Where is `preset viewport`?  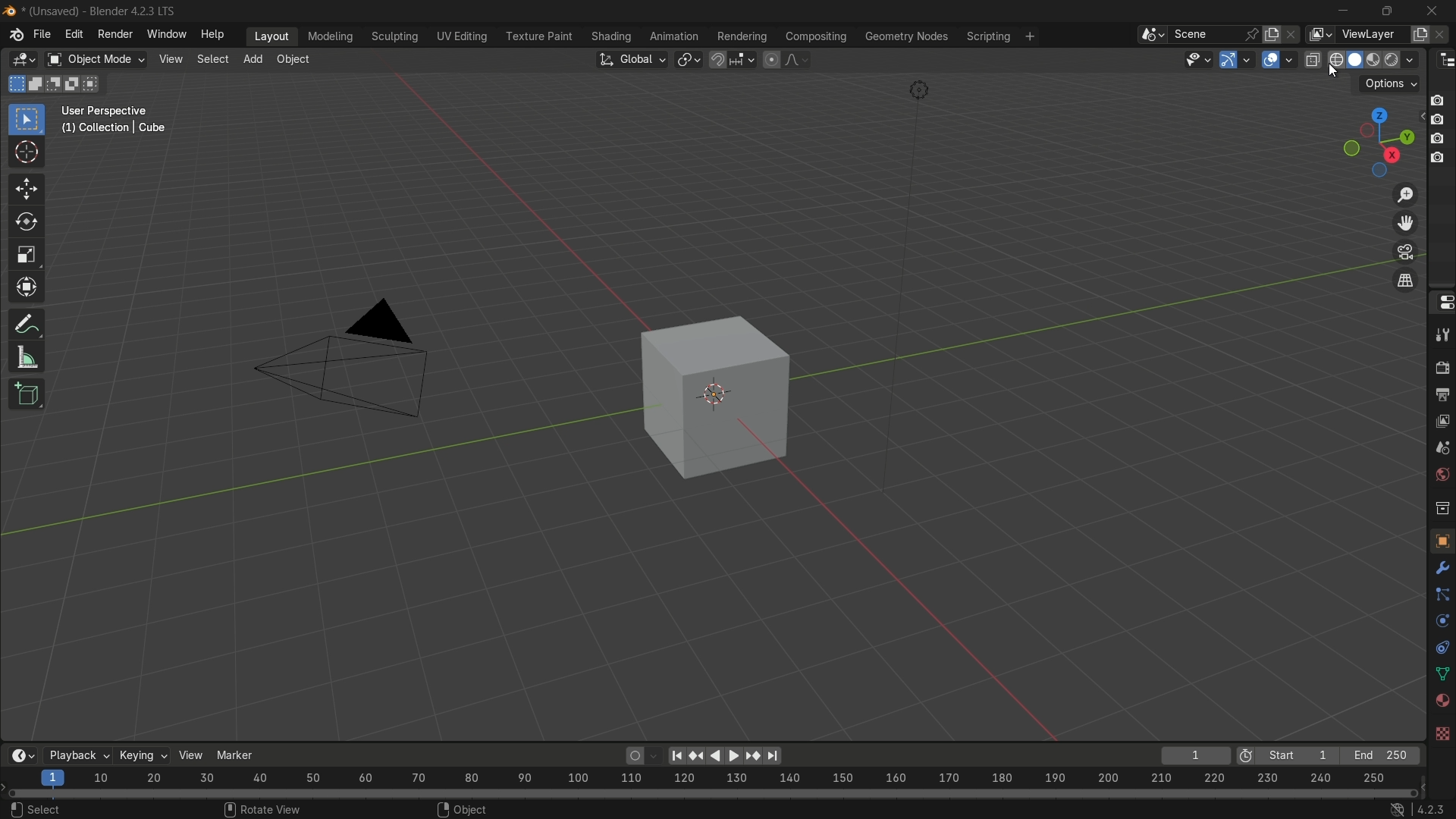 preset viewport is located at coordinates (1371, 142).